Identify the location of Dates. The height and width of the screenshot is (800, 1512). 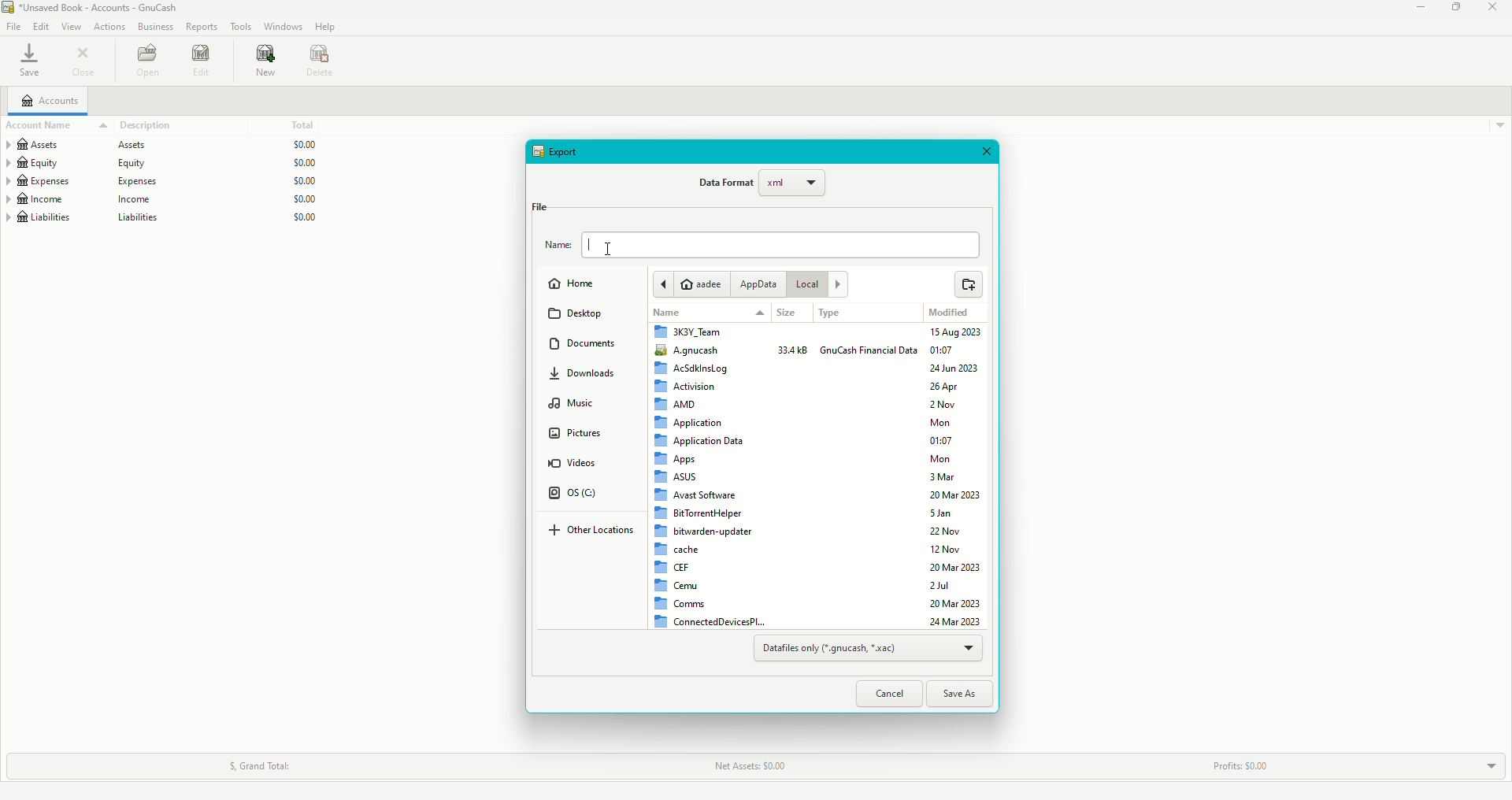
(958, 475).